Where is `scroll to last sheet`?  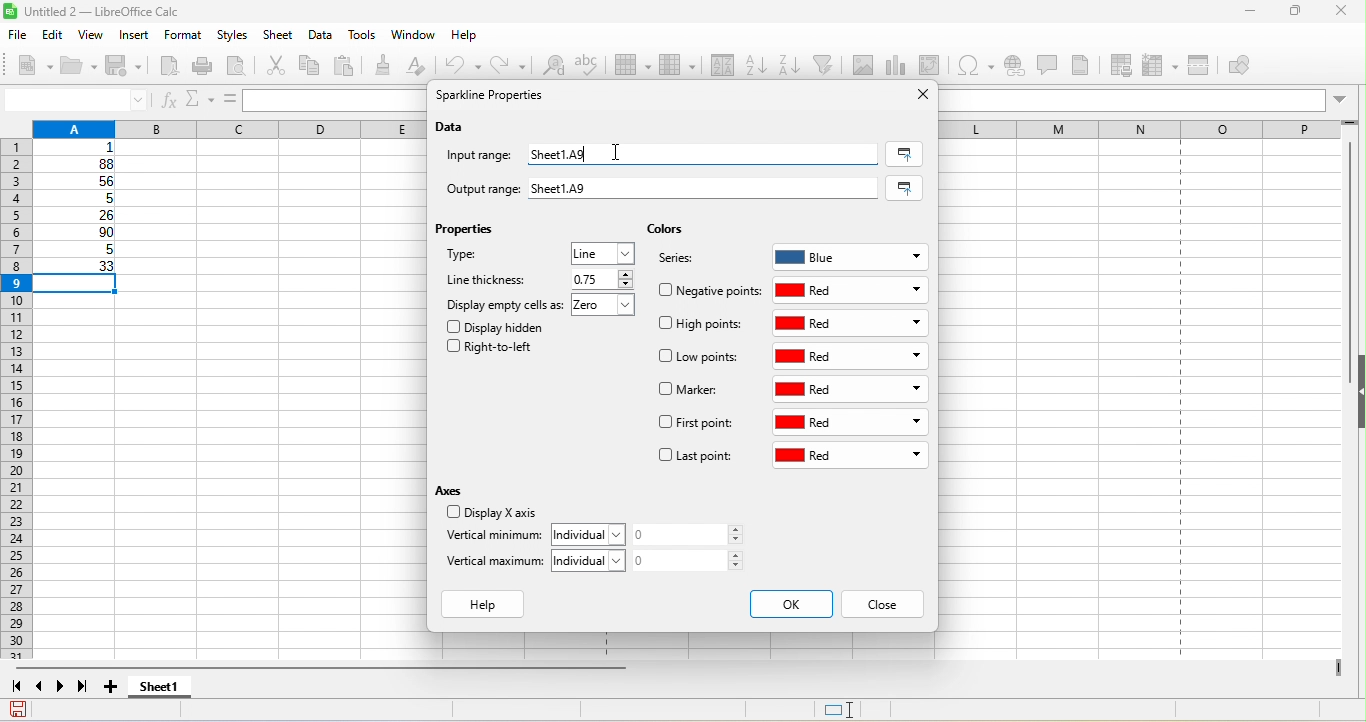
scroll to last sheet is located at coordinates (88, 689).